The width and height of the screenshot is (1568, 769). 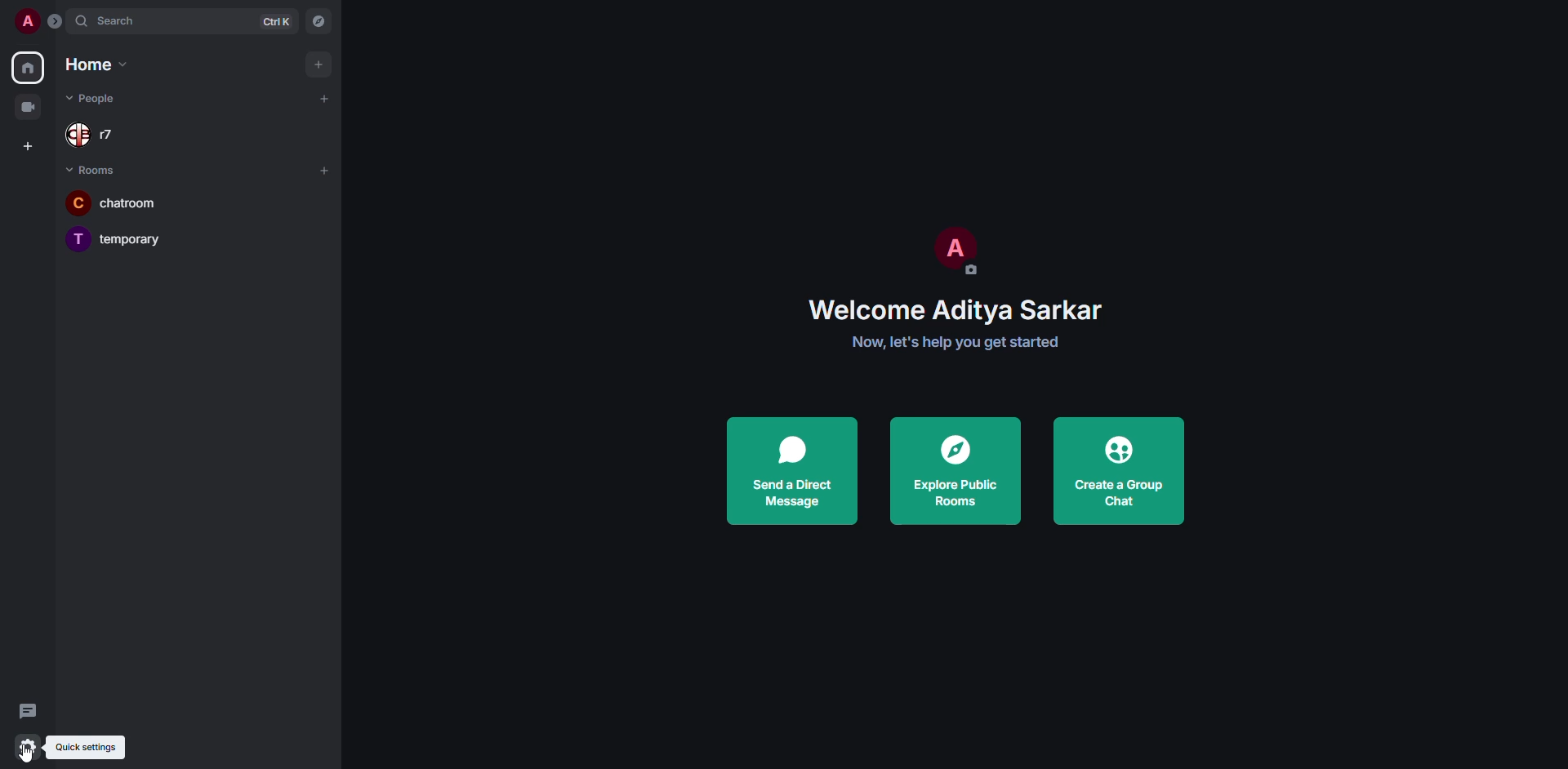 What do you see at coordinates (129, 201) in the screenshot?
I see `chatroom` at bounding box center [129, 201].